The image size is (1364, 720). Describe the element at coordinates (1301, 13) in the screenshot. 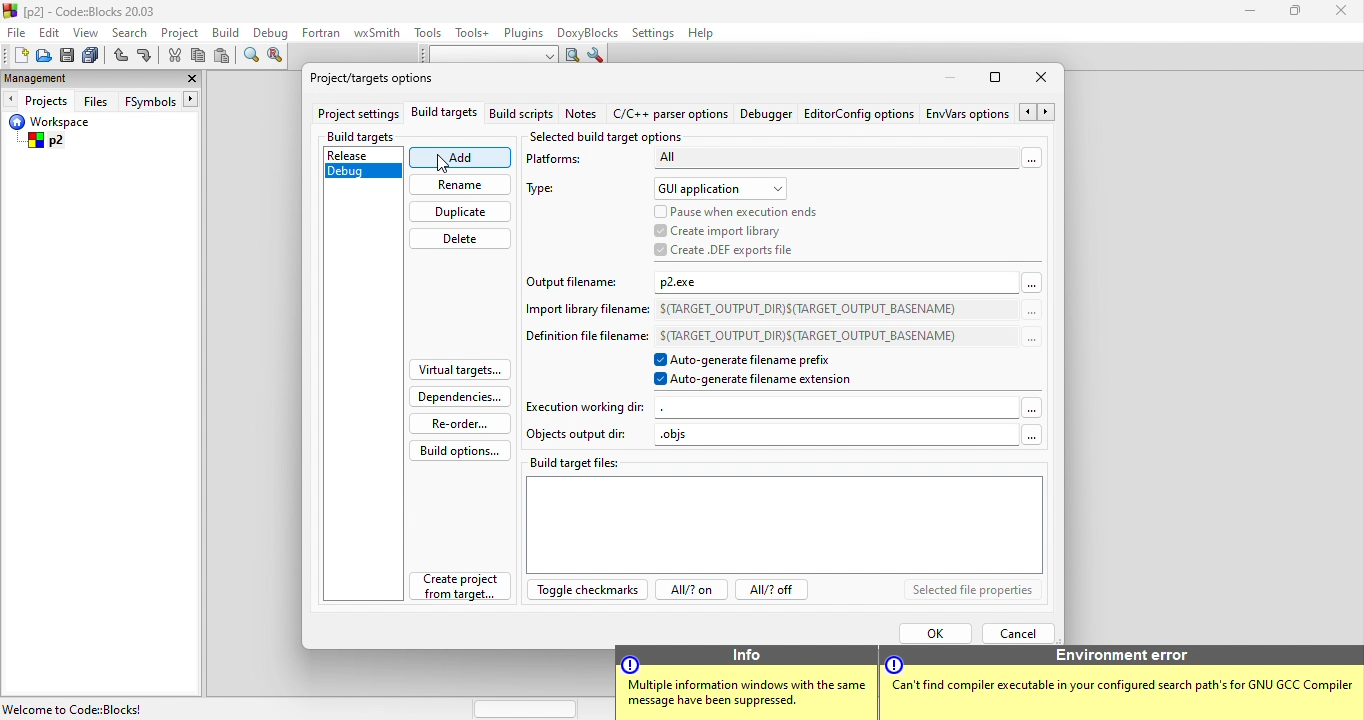

I see `maximize` at that location.